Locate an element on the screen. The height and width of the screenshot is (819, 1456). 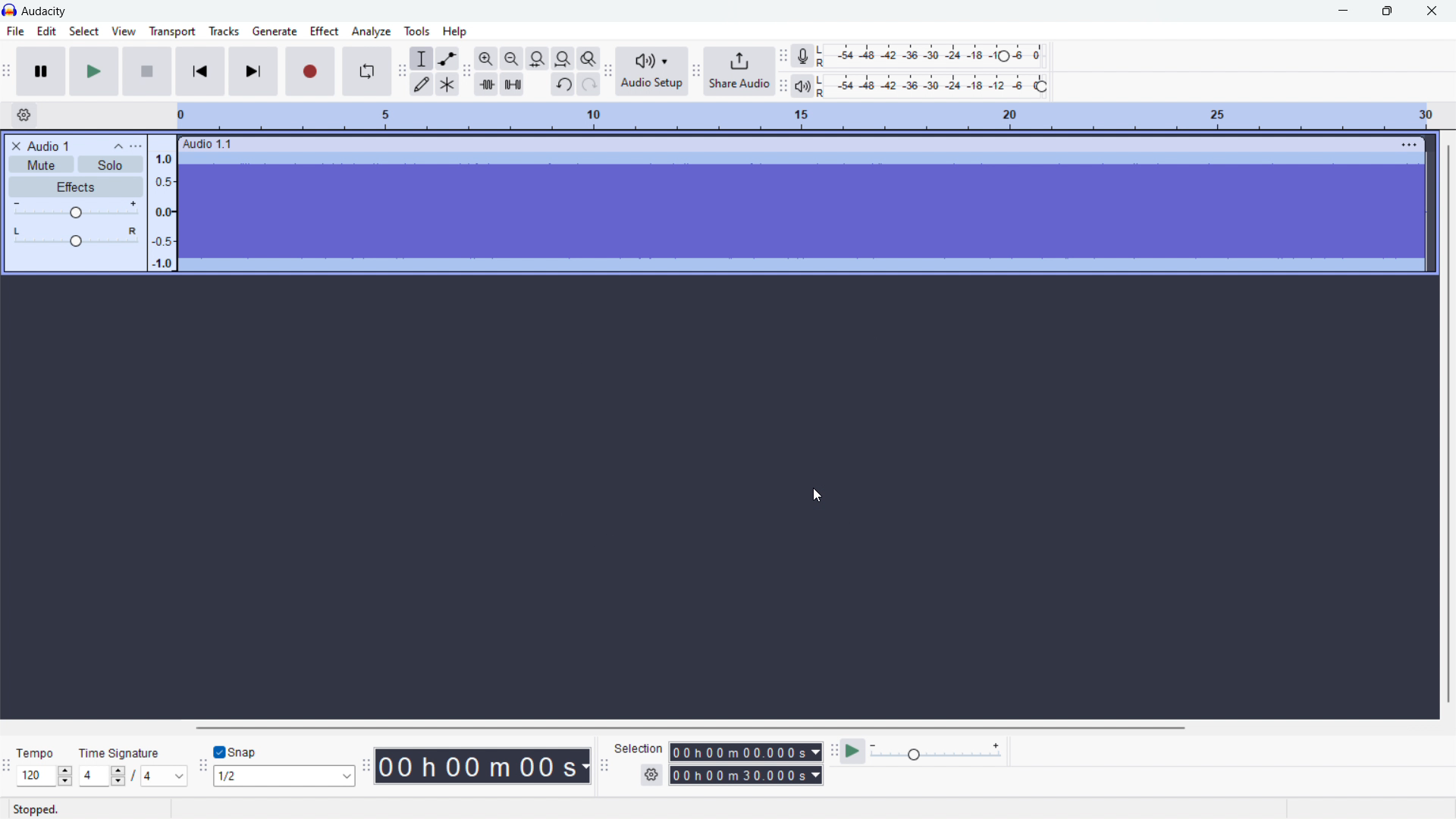
end time is located at coordinates (747, 776).